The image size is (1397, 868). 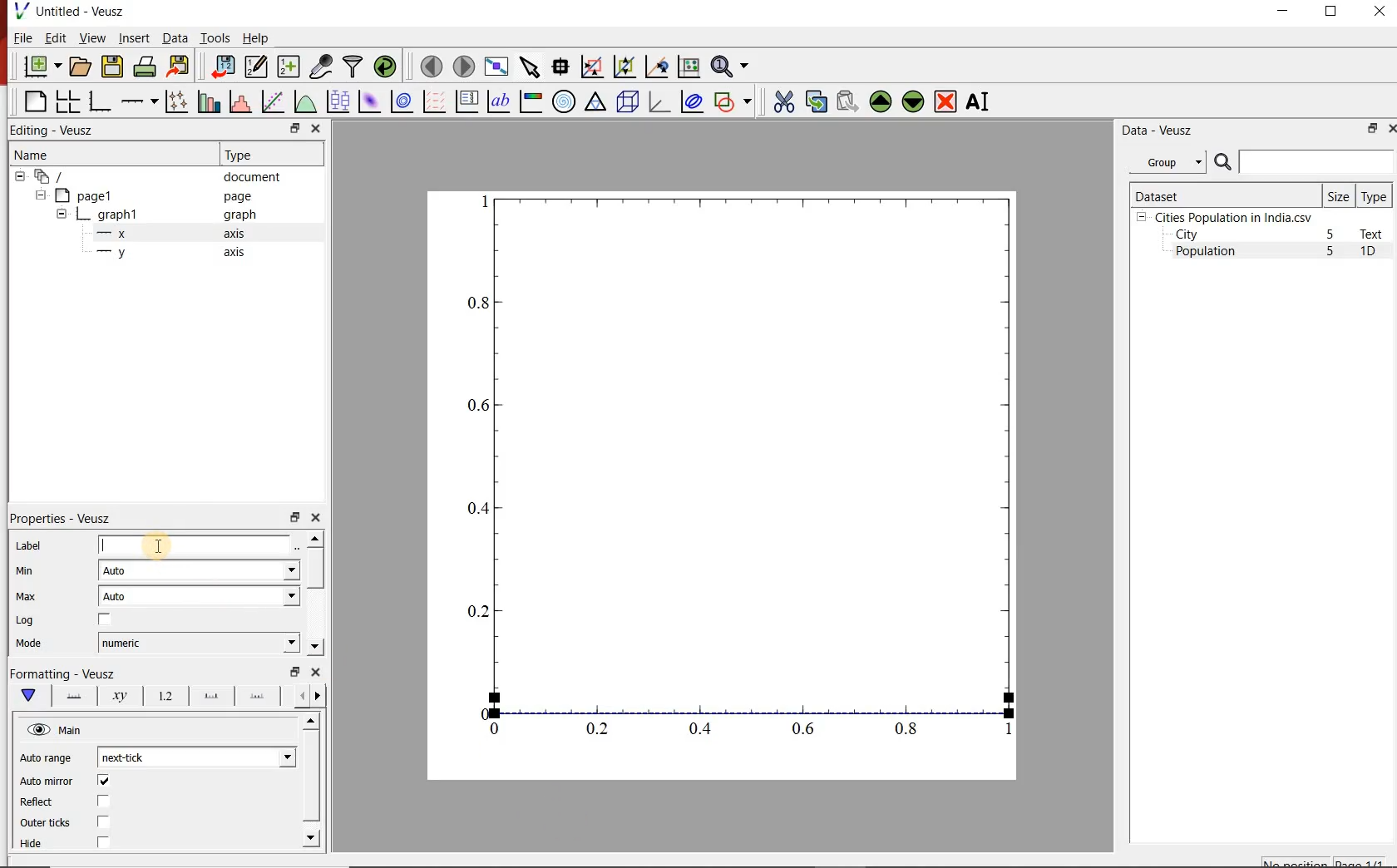 What do you see at coordinates (174, 253) in the screenshot?
I see `y axis` at bounding box center [174, 253].